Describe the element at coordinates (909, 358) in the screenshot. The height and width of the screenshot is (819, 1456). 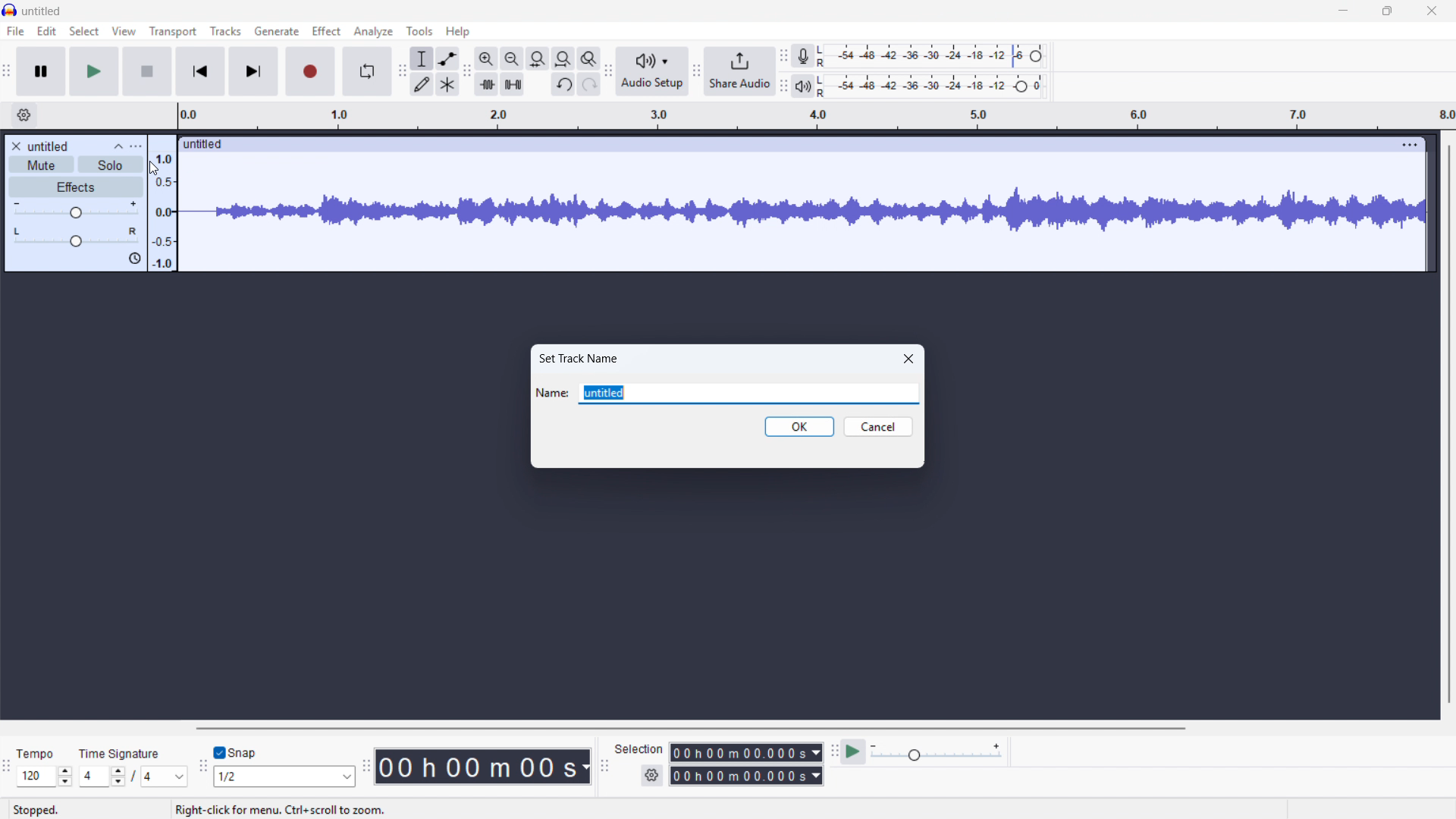
I see `Close` at that location.